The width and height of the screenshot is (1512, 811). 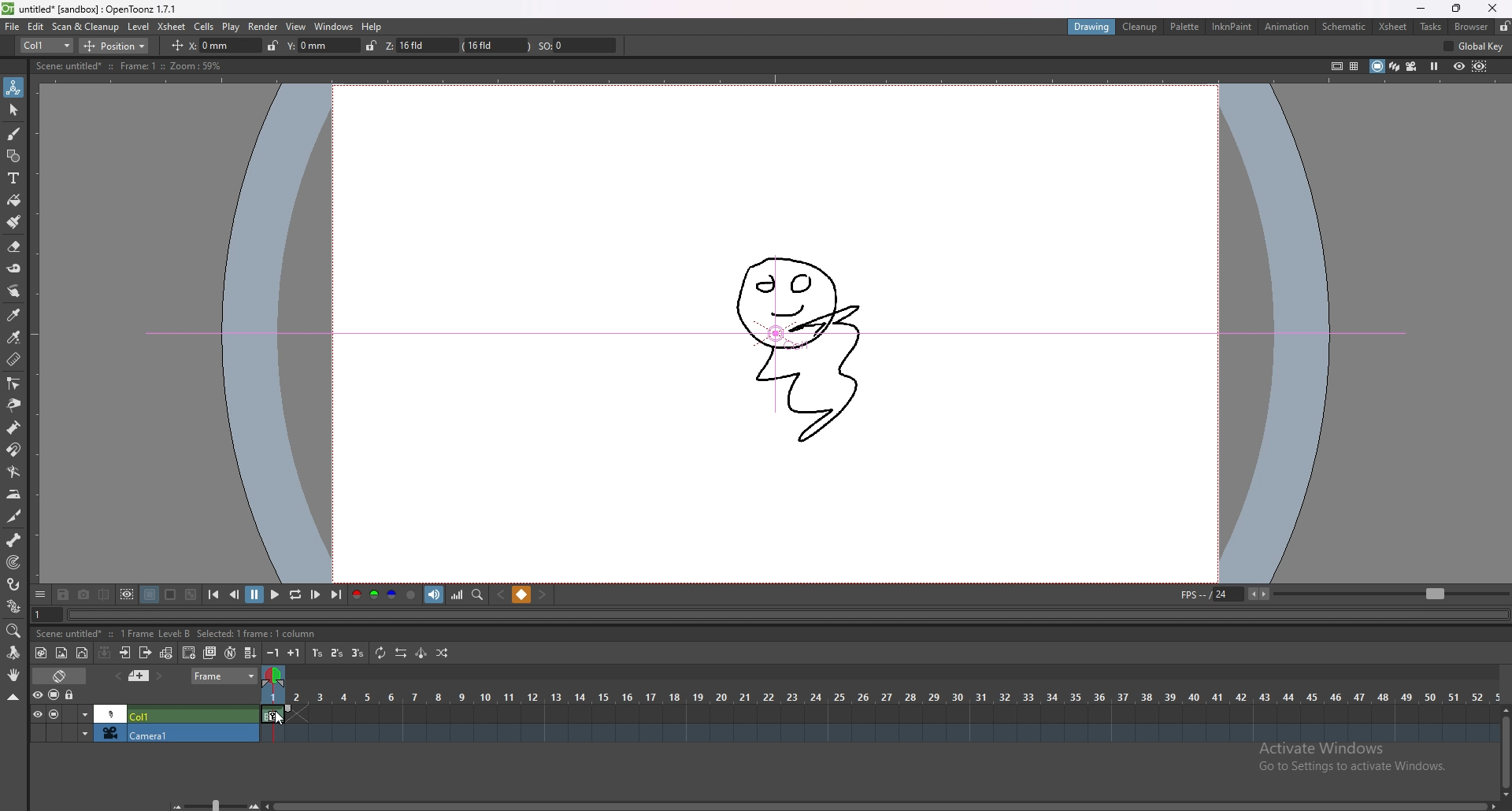 I want to click on sub camera preview, so click(x=1480, y=67).